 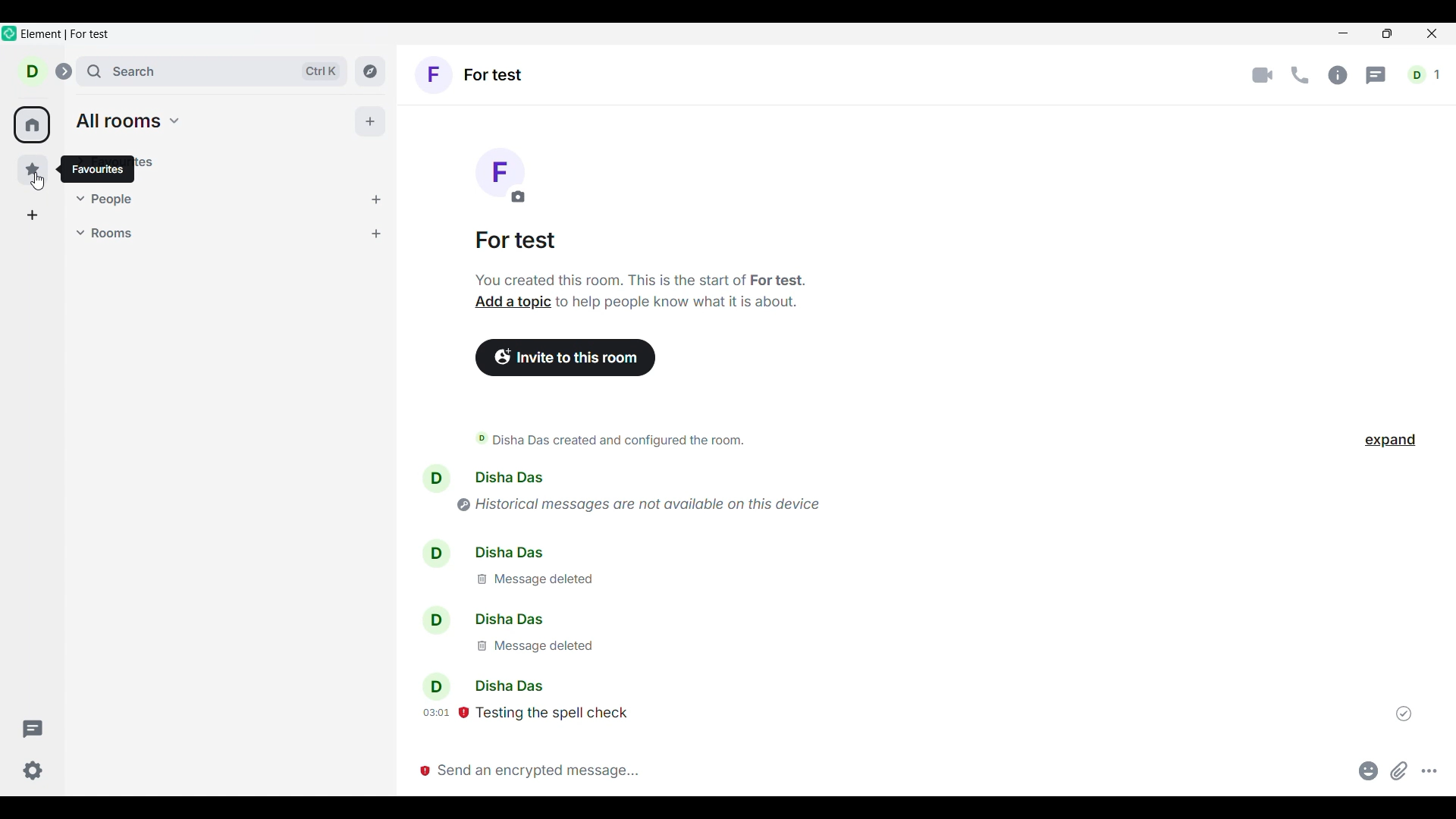 I want to click on favourites tooltips, so click(x=98, y=169).